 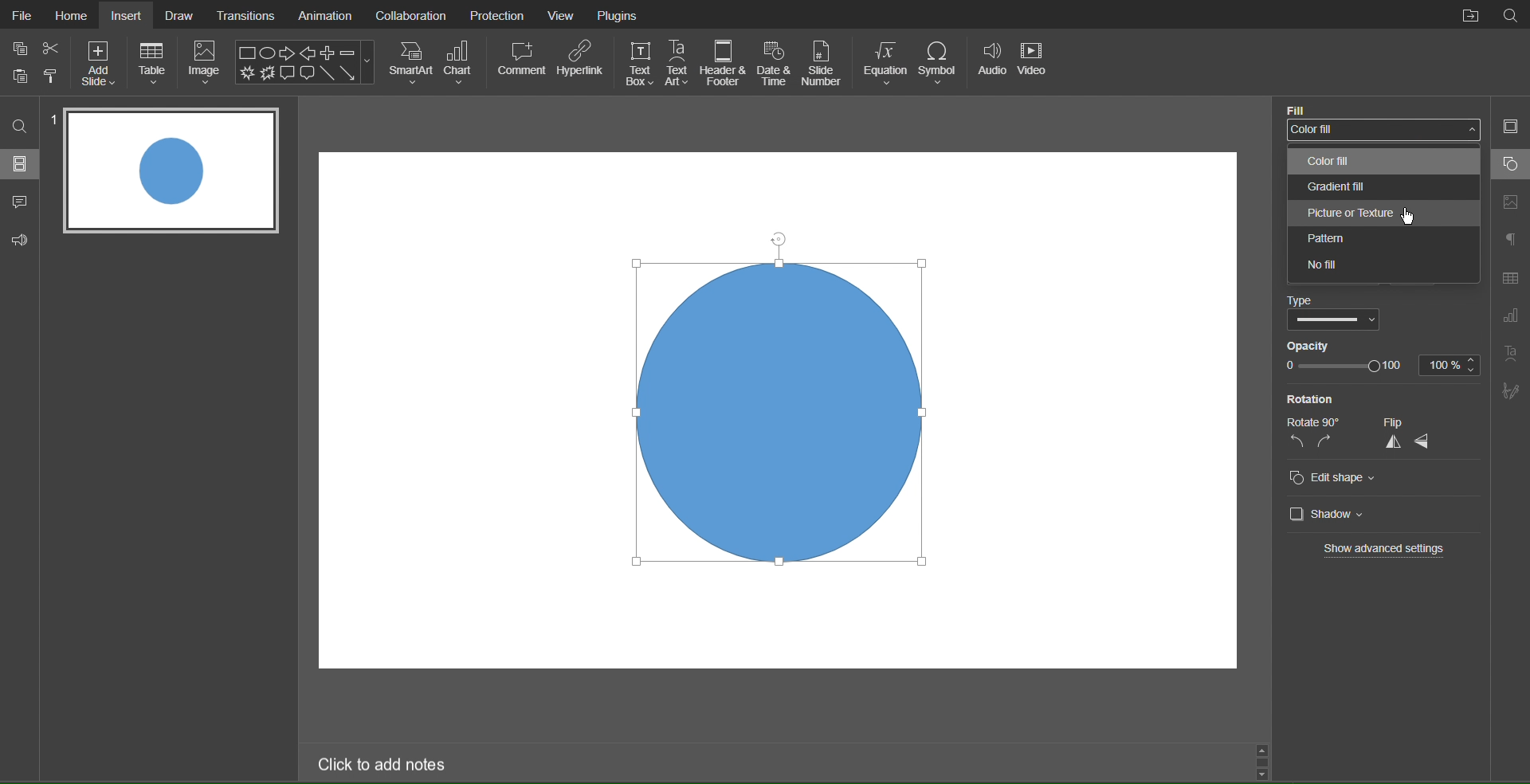 I want to click on Add Slide, so click(x=97, y=63).